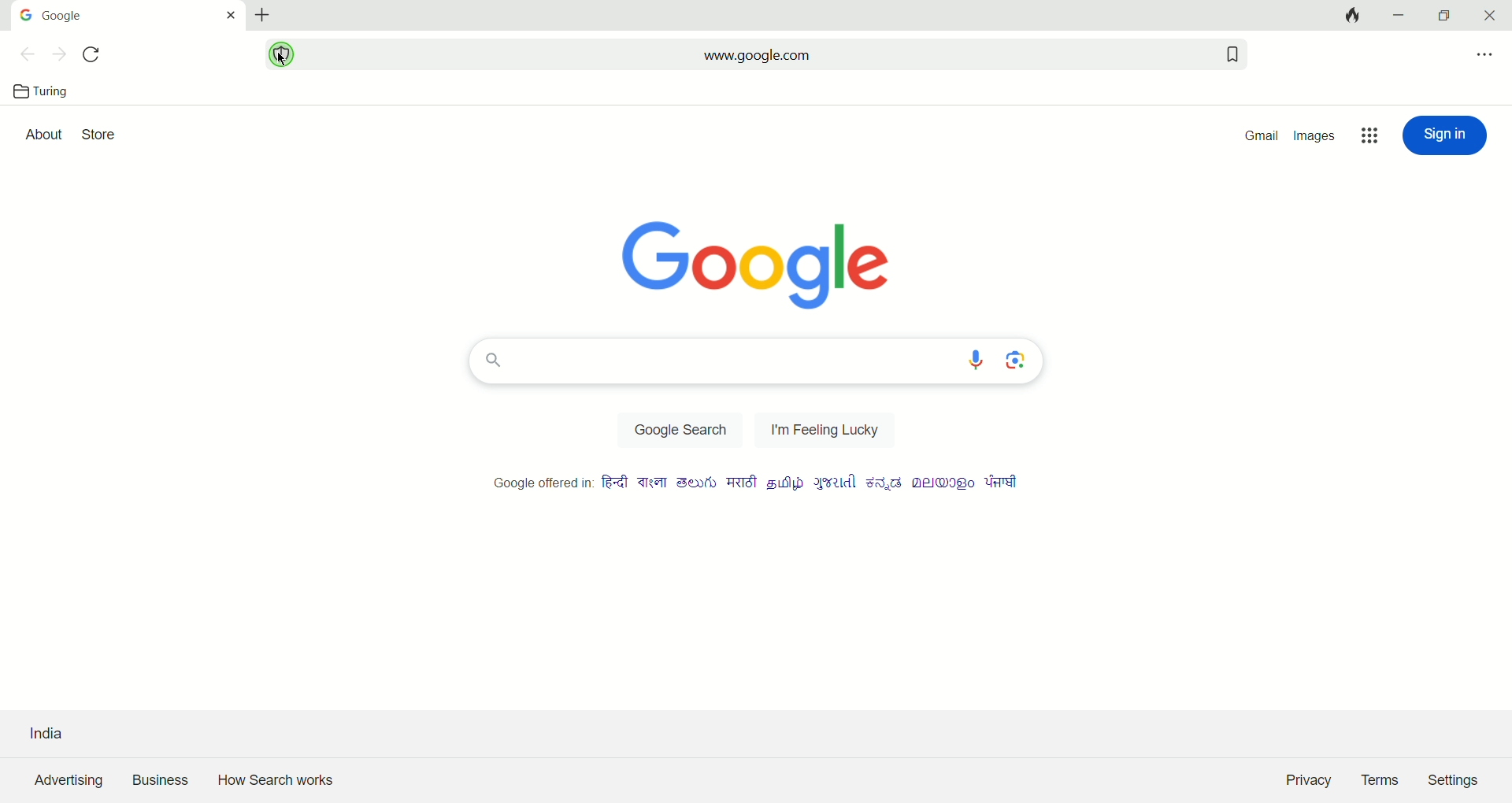 This screenshot has height=803, width=1512. Describe the element at coordinates (1492, 16) in the screenshot. I see `close` at that location.